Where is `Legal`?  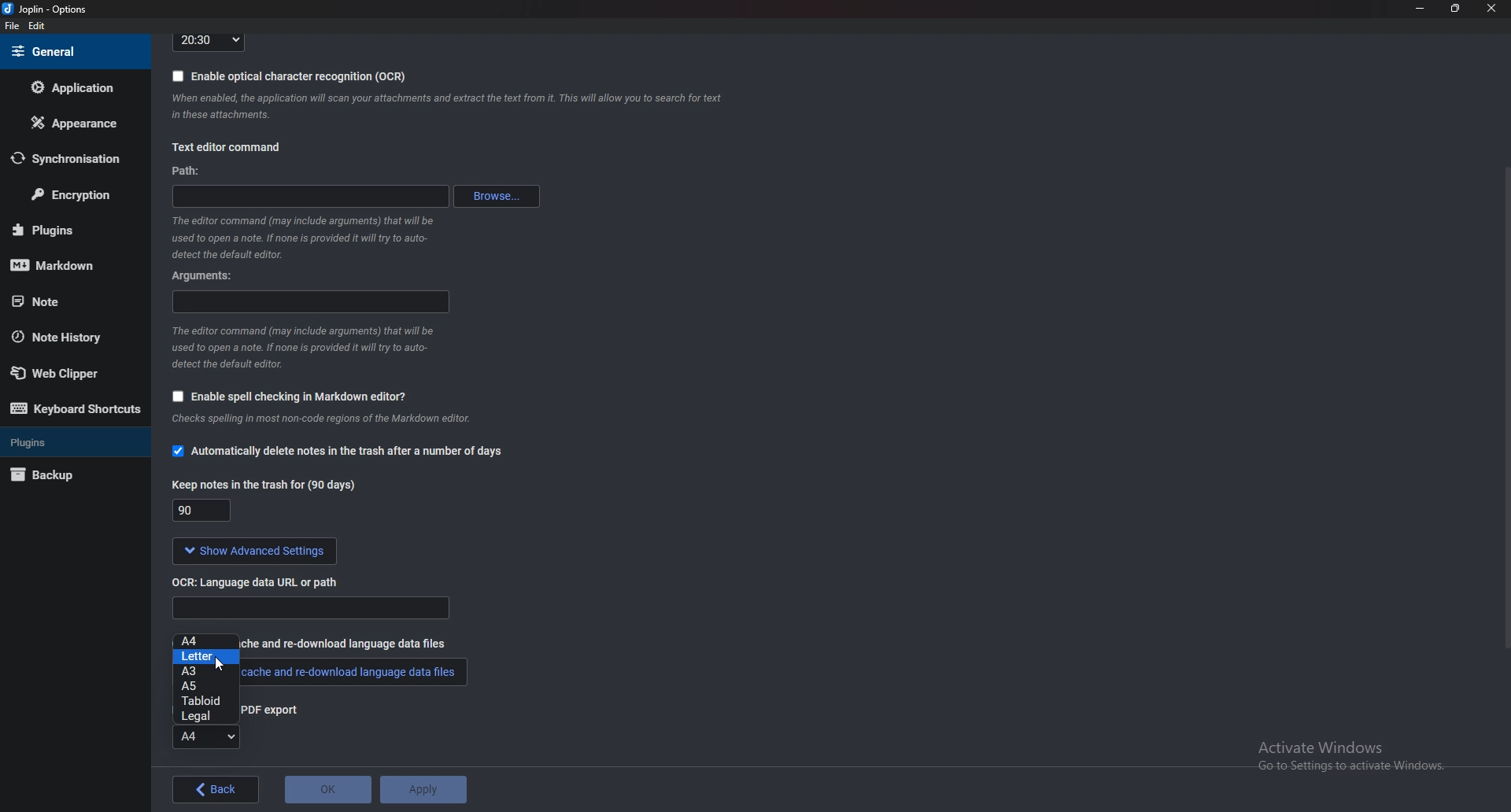 Legal is located at coordinates (205, 715).